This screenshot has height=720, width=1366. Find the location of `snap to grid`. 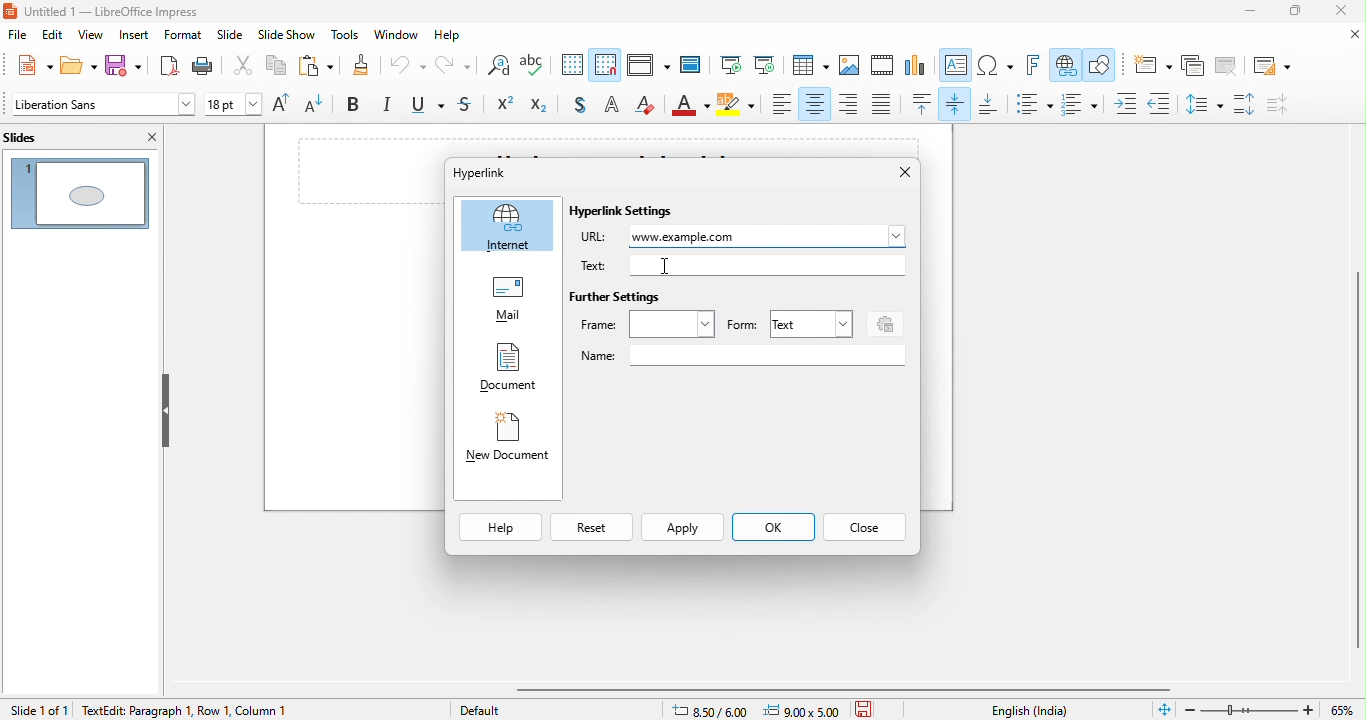

snap to grid is located at coordinates (607, 64).